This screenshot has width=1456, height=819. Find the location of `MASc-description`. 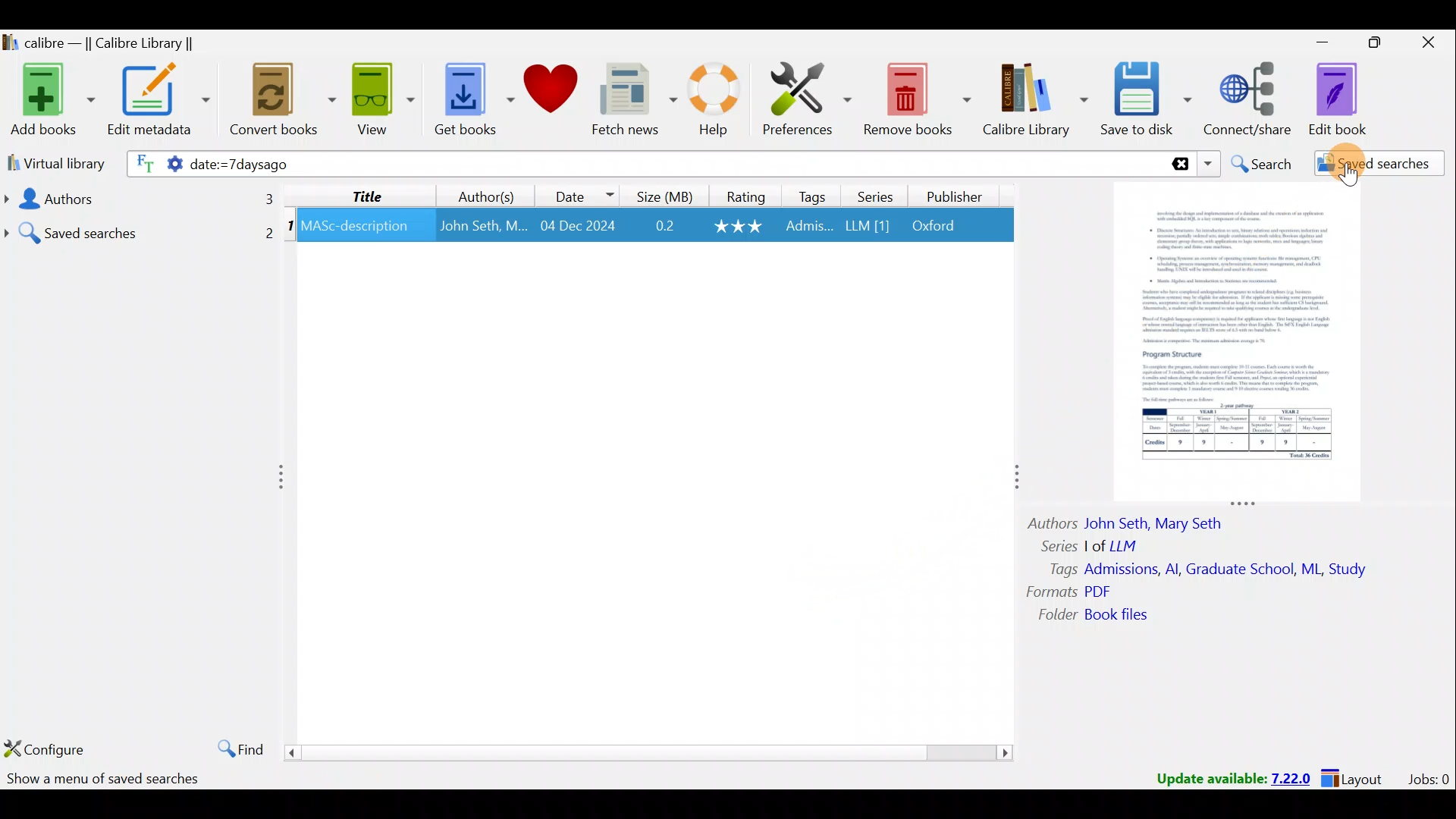

MASc-description is located at coordinates (356, 228).